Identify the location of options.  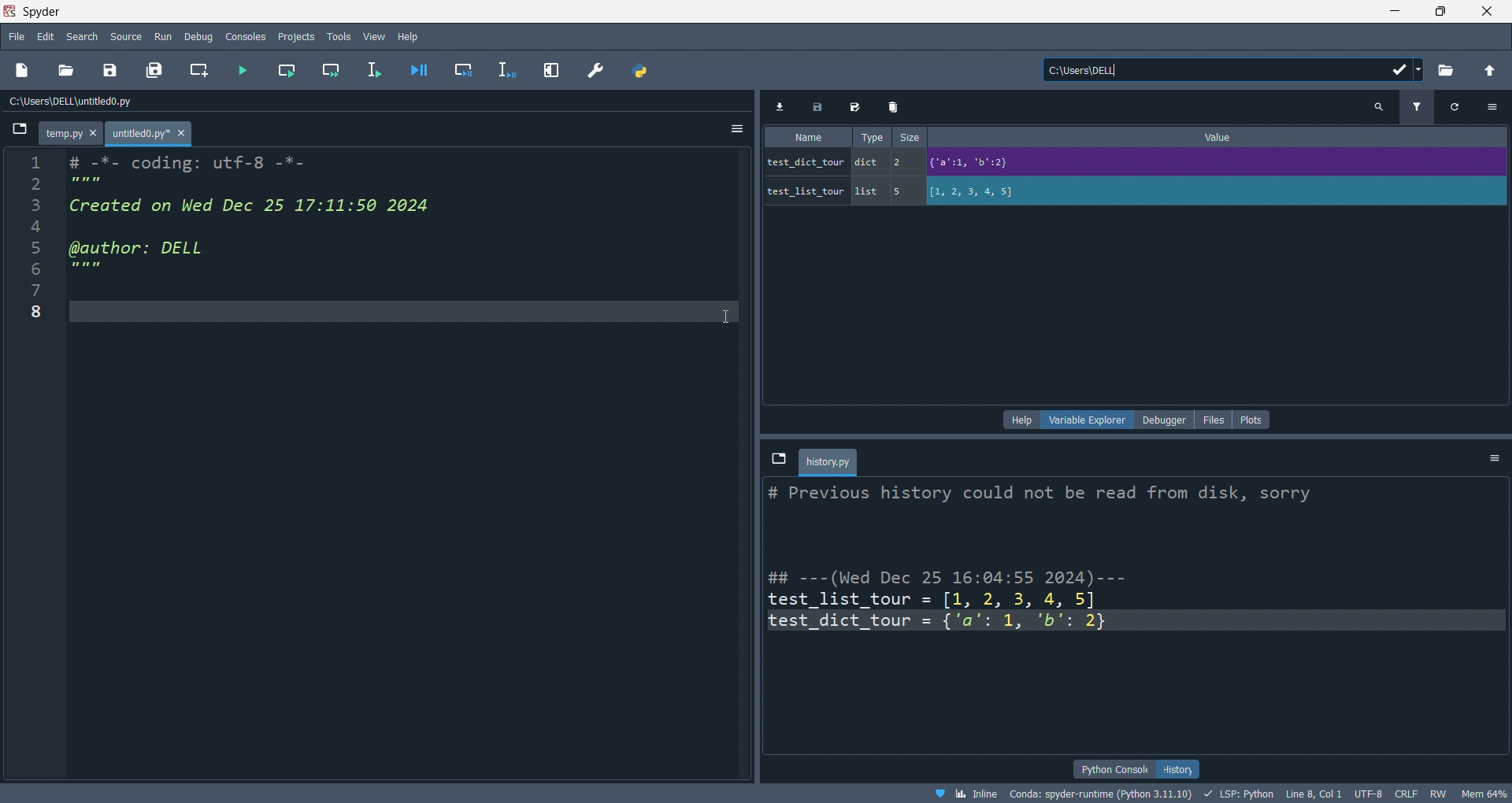
(1496, 457).